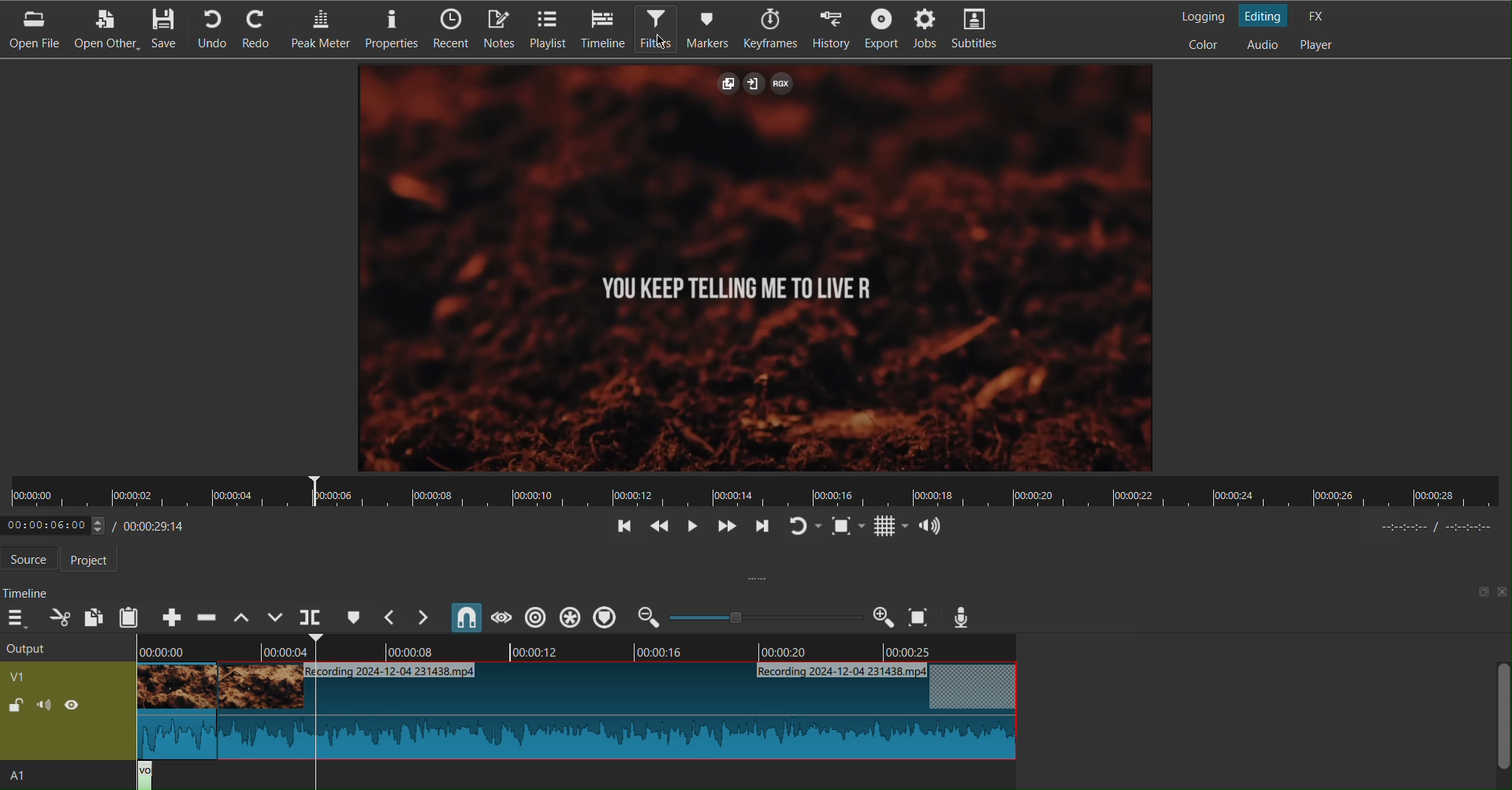  What do you see at coordinates (501, 29) in the screenshot?
I see `Items` at bounding box center [501, 29].